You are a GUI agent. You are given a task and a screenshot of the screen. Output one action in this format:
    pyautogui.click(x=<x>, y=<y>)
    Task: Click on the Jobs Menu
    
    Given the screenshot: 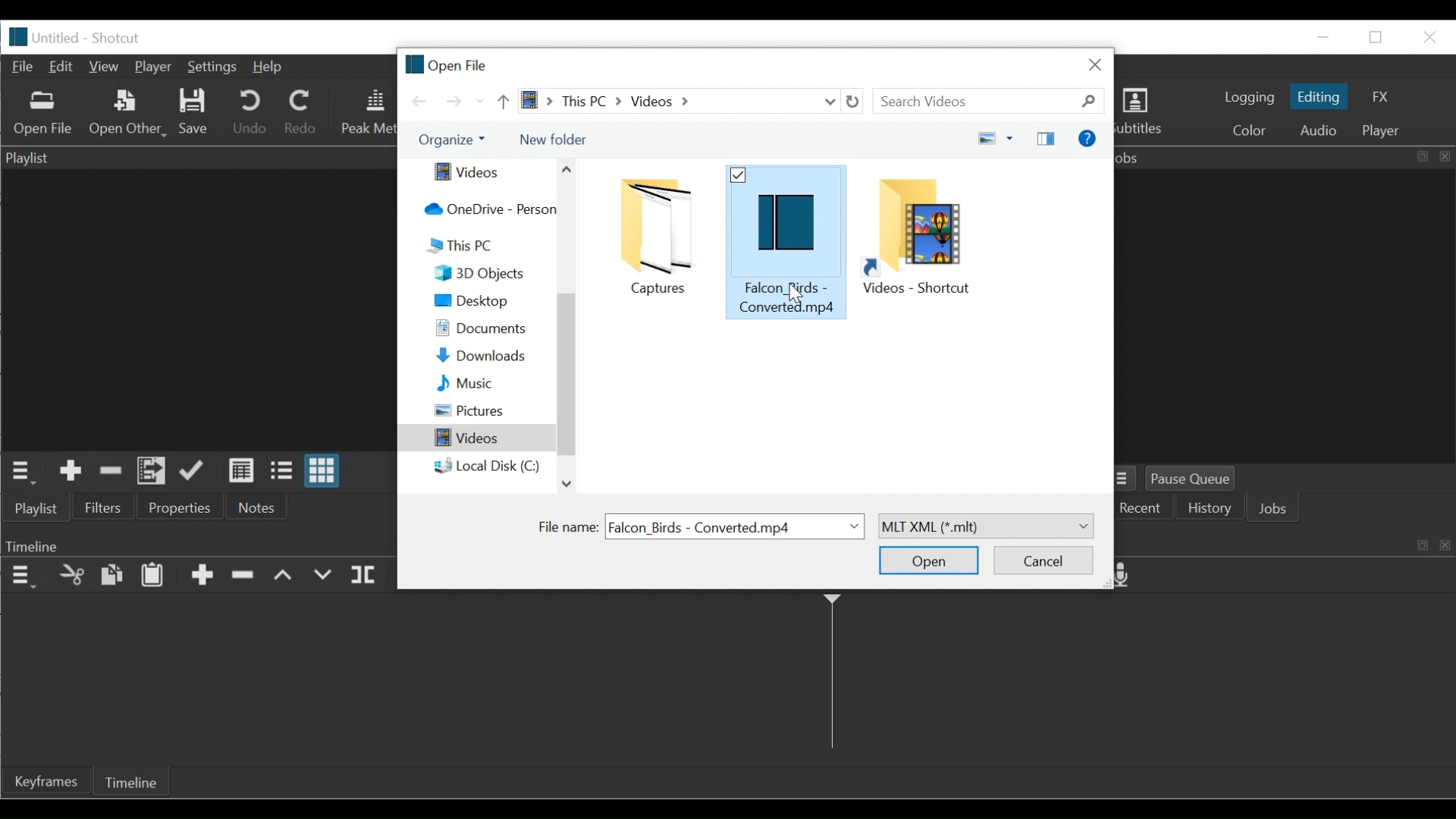 What is the action you would take?
    pyautogui.click(x=1128, y=479)
    